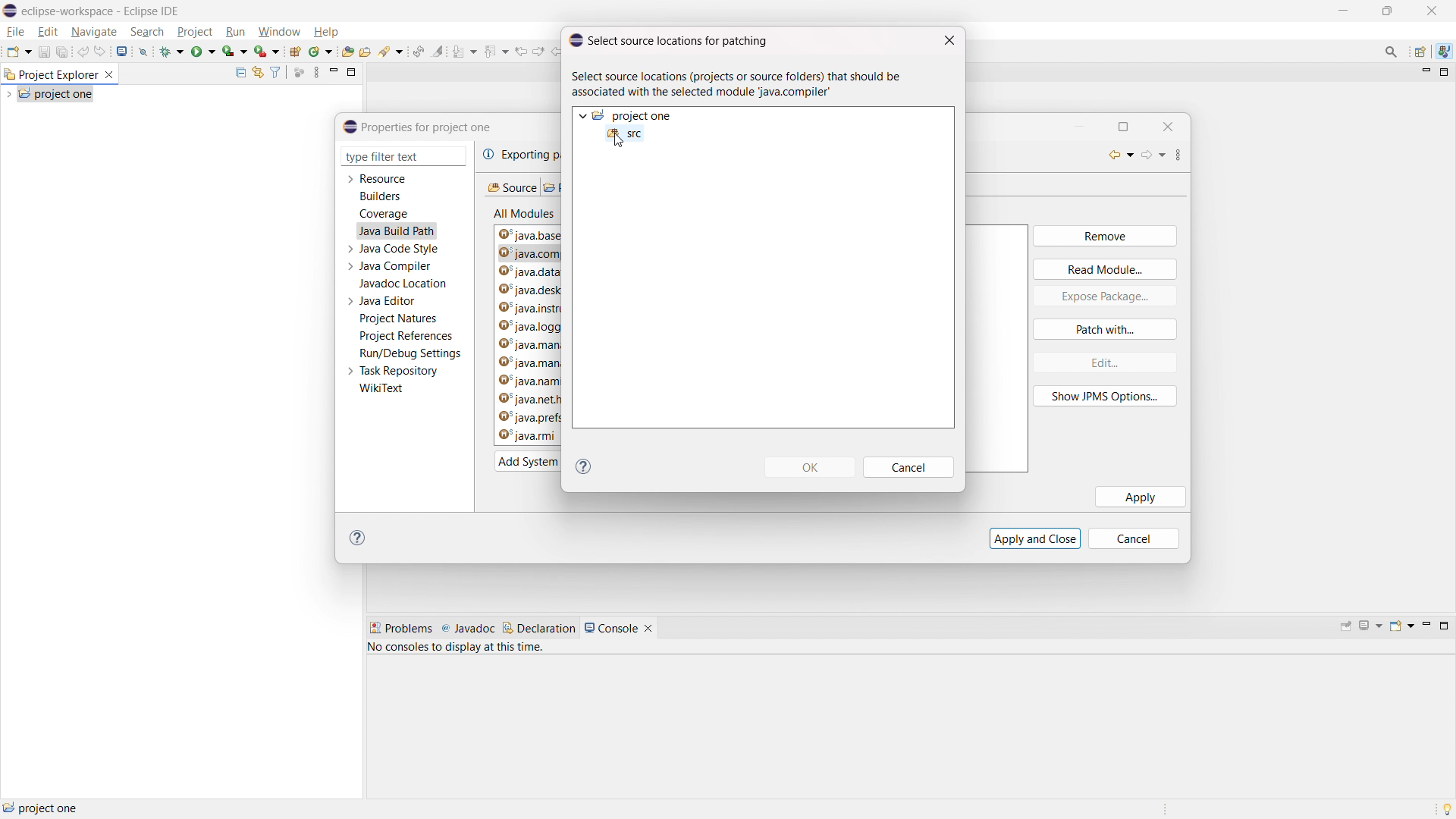 This screenshot has width=1456, height=819. Describe the element at coordinates (350, 266) in the screenshot. I see `expand java compiler` at that location.